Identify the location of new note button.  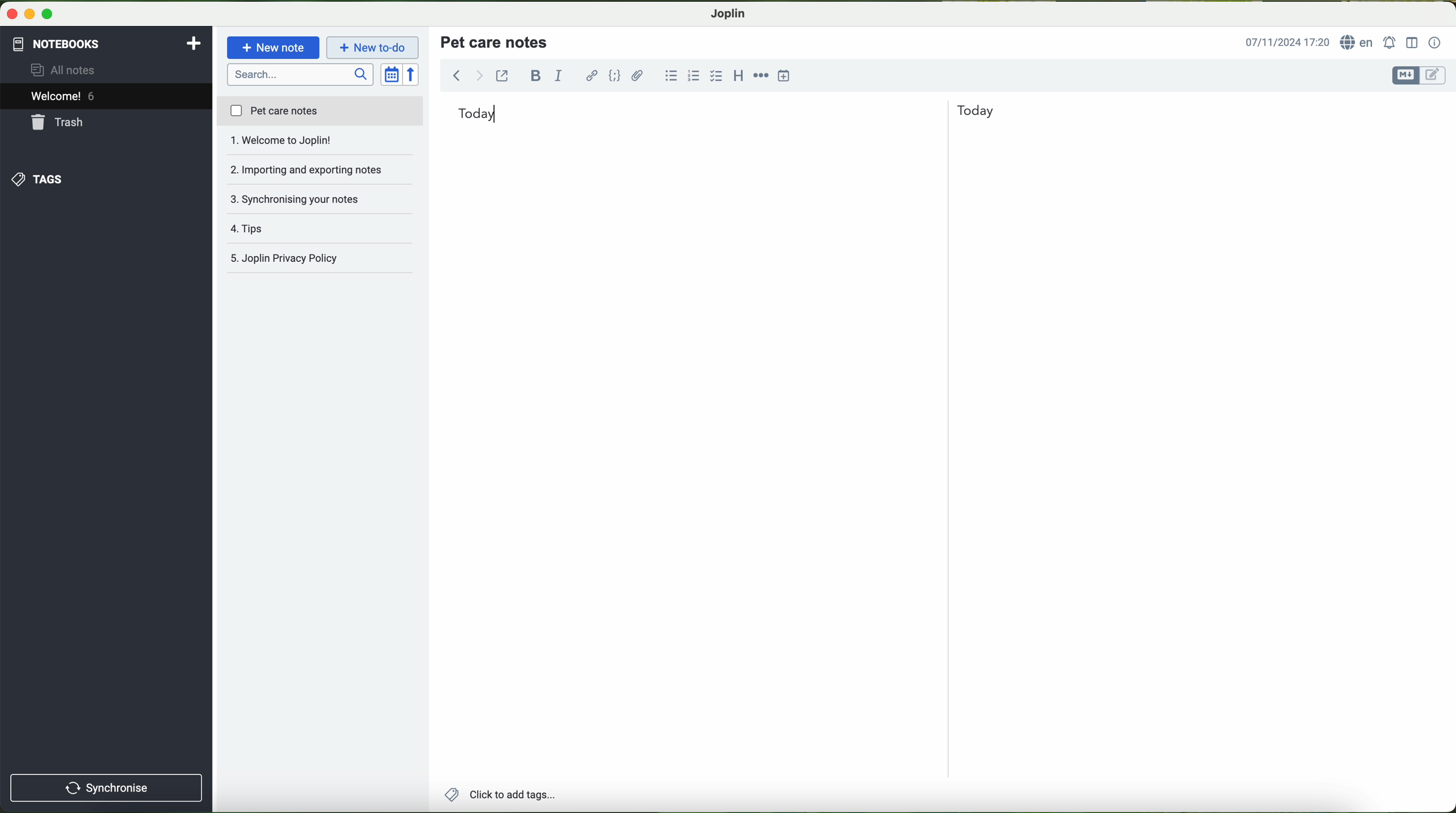
(274, 47).